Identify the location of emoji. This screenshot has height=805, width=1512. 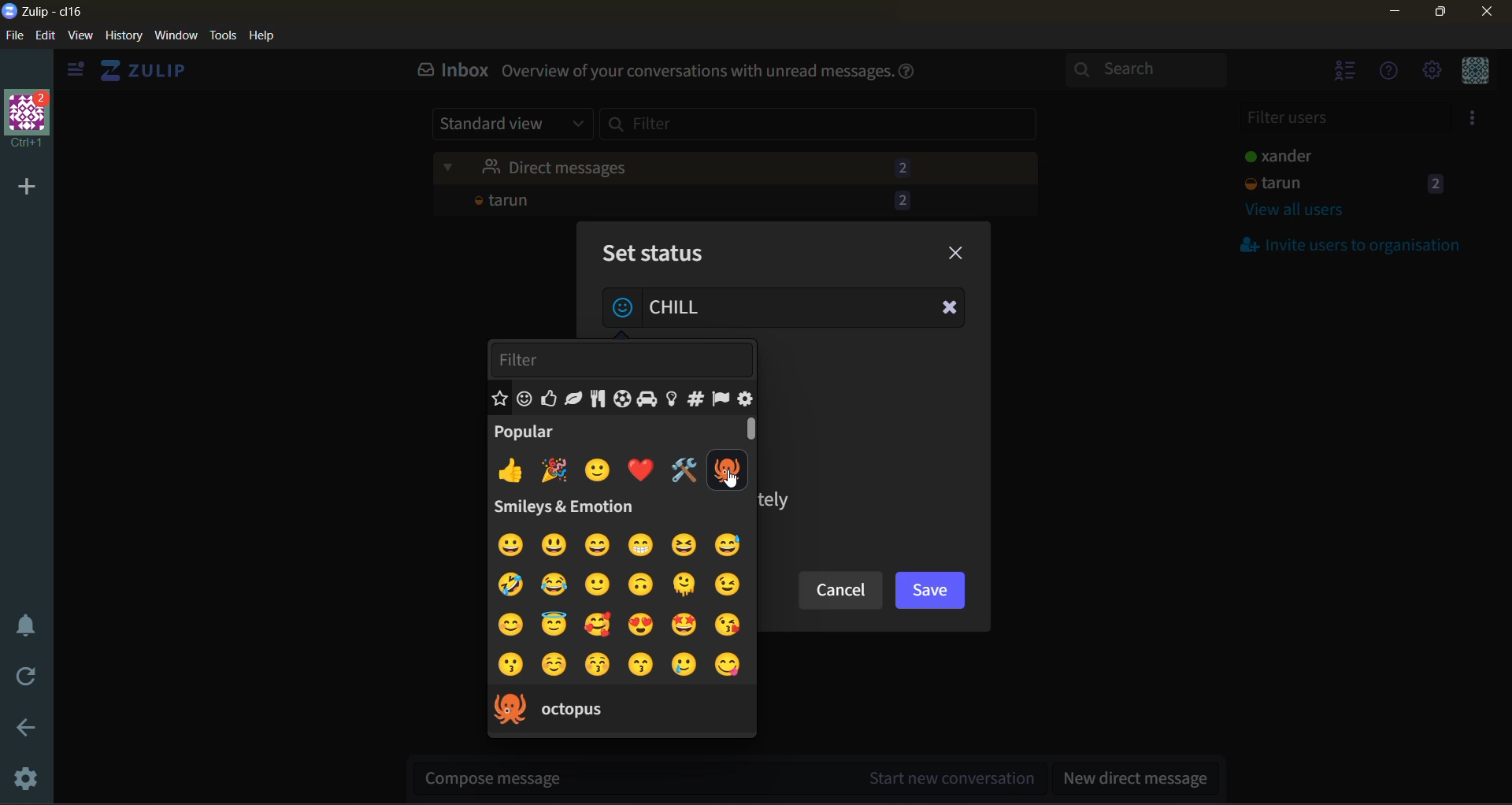
(696, 399).